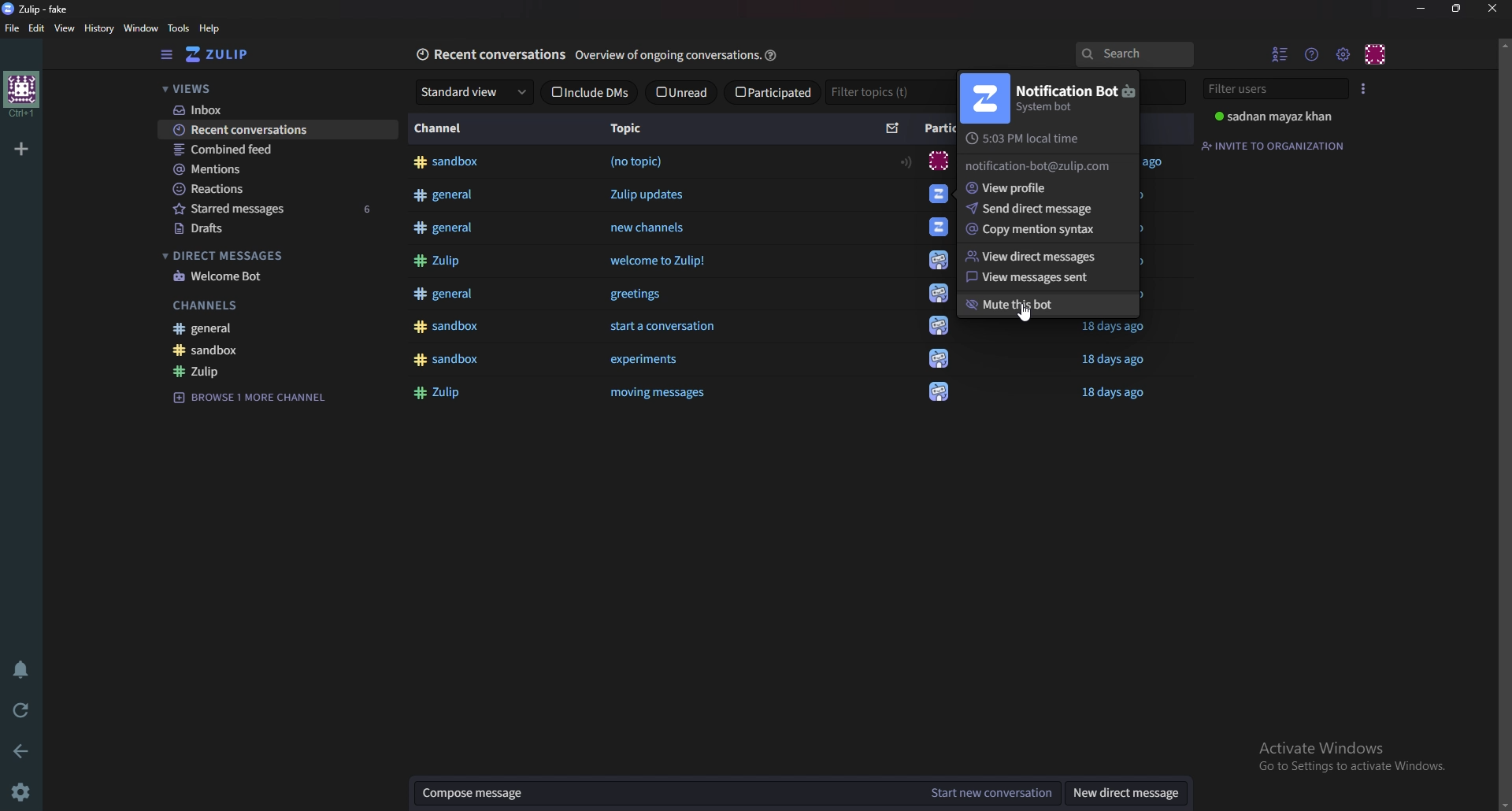 The height and width of the screenshot is (811, 1512). What do you see at coordinates (1361, 89) in the screenshot?
I see `User list style` at bounding box center [1361, 89].